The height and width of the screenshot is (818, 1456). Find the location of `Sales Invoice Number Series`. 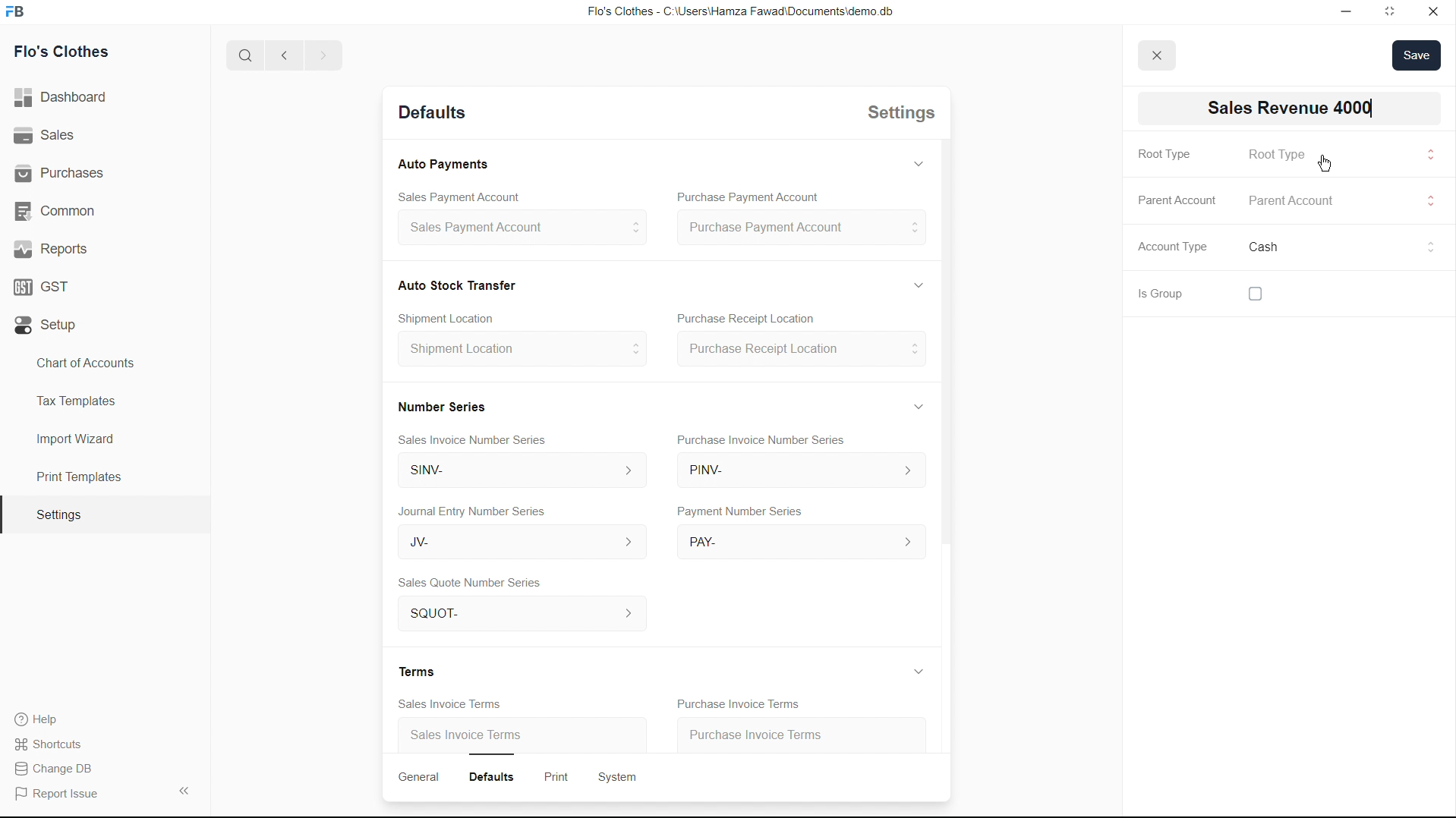

Sales Invoice Number Series is located at coordinates (478, 437).